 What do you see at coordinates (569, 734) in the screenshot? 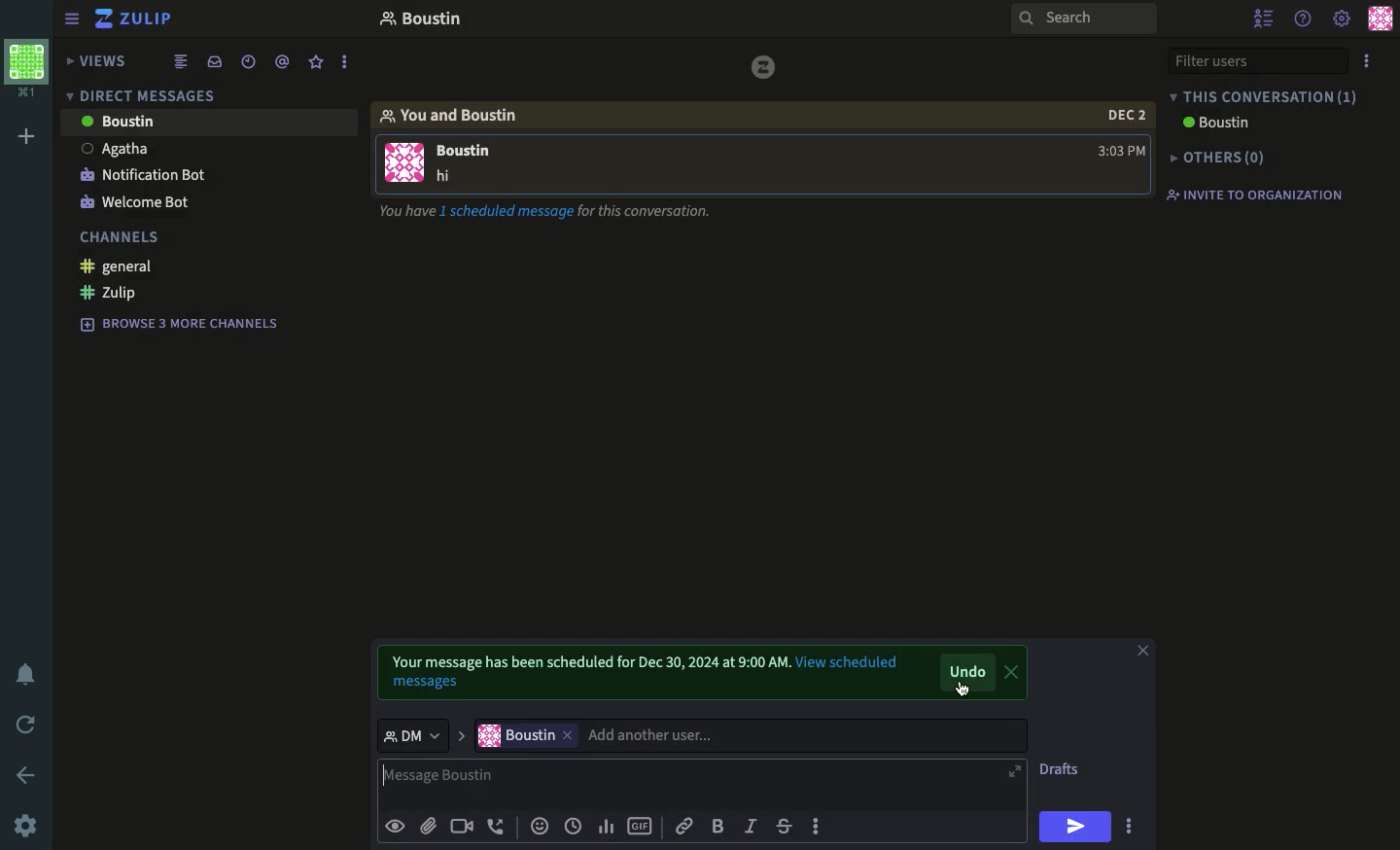
I see `move boustin` at bounding box center [569, 734].